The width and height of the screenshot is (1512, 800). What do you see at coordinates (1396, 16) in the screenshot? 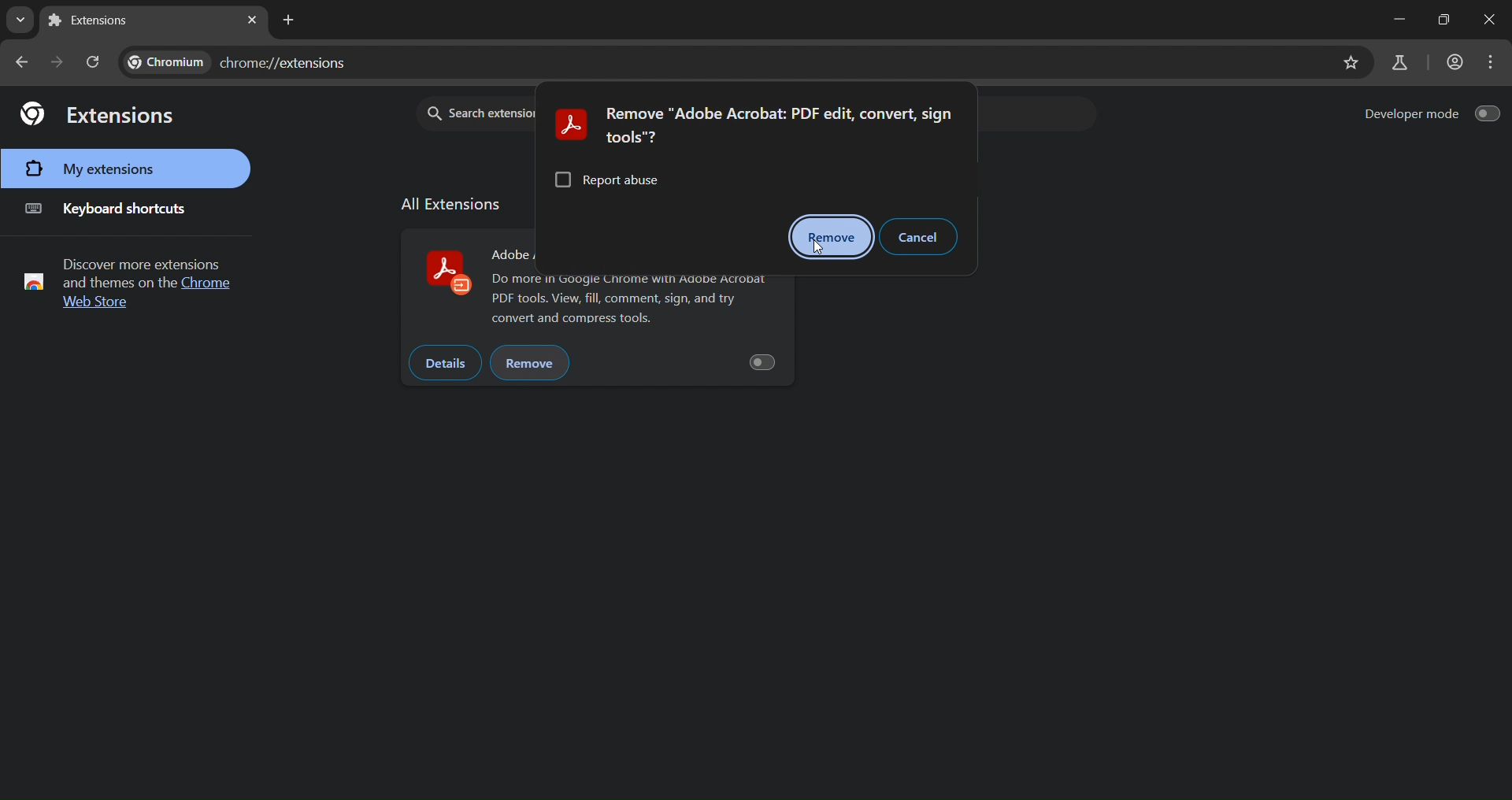
I see `minimize` at bounding box center [1396, 16].